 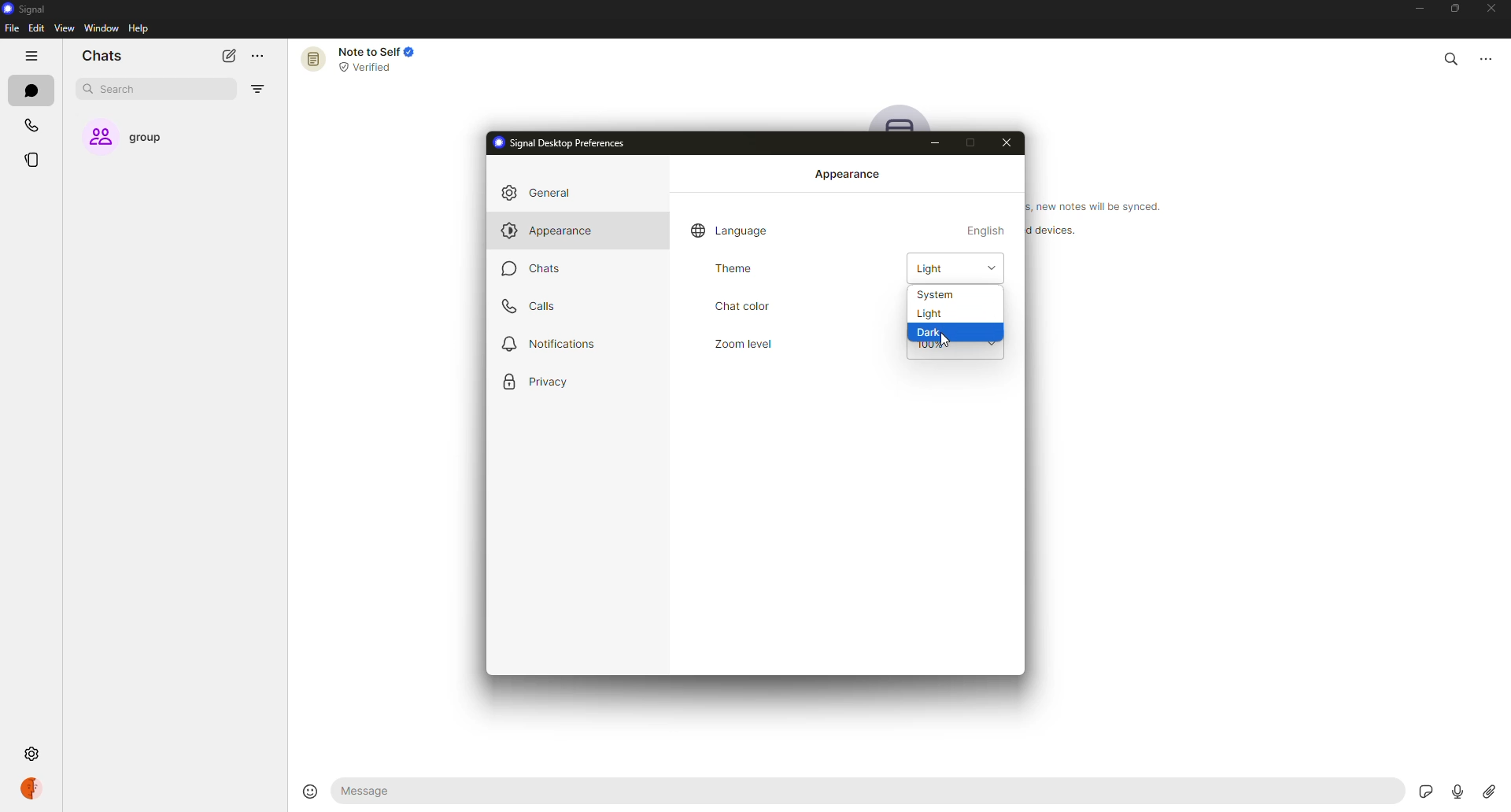 I want to click on theme, so click(x=737, y=269).